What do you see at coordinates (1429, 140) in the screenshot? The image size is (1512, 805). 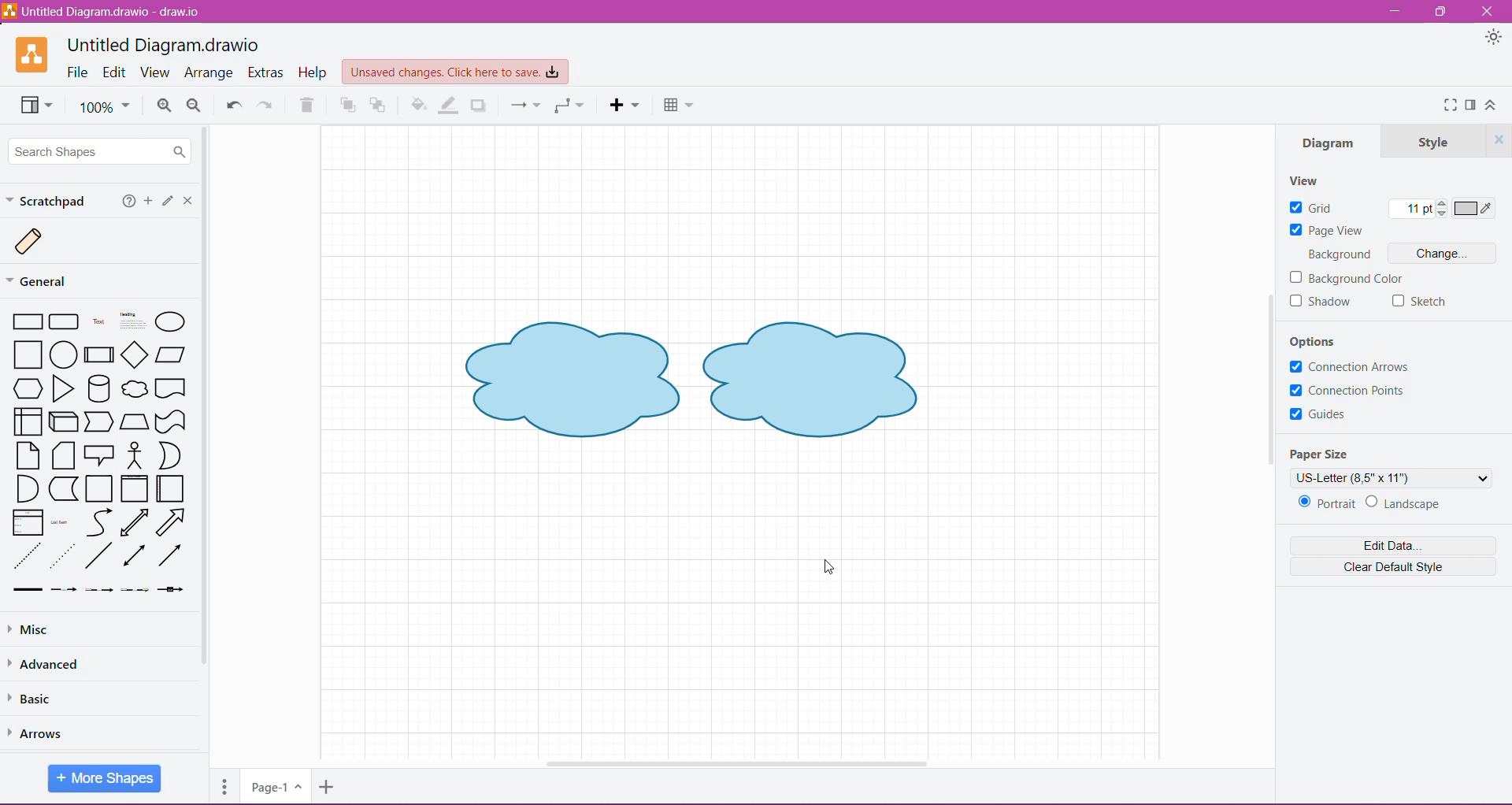 I see `Style` at bounding box center [1429, 140].